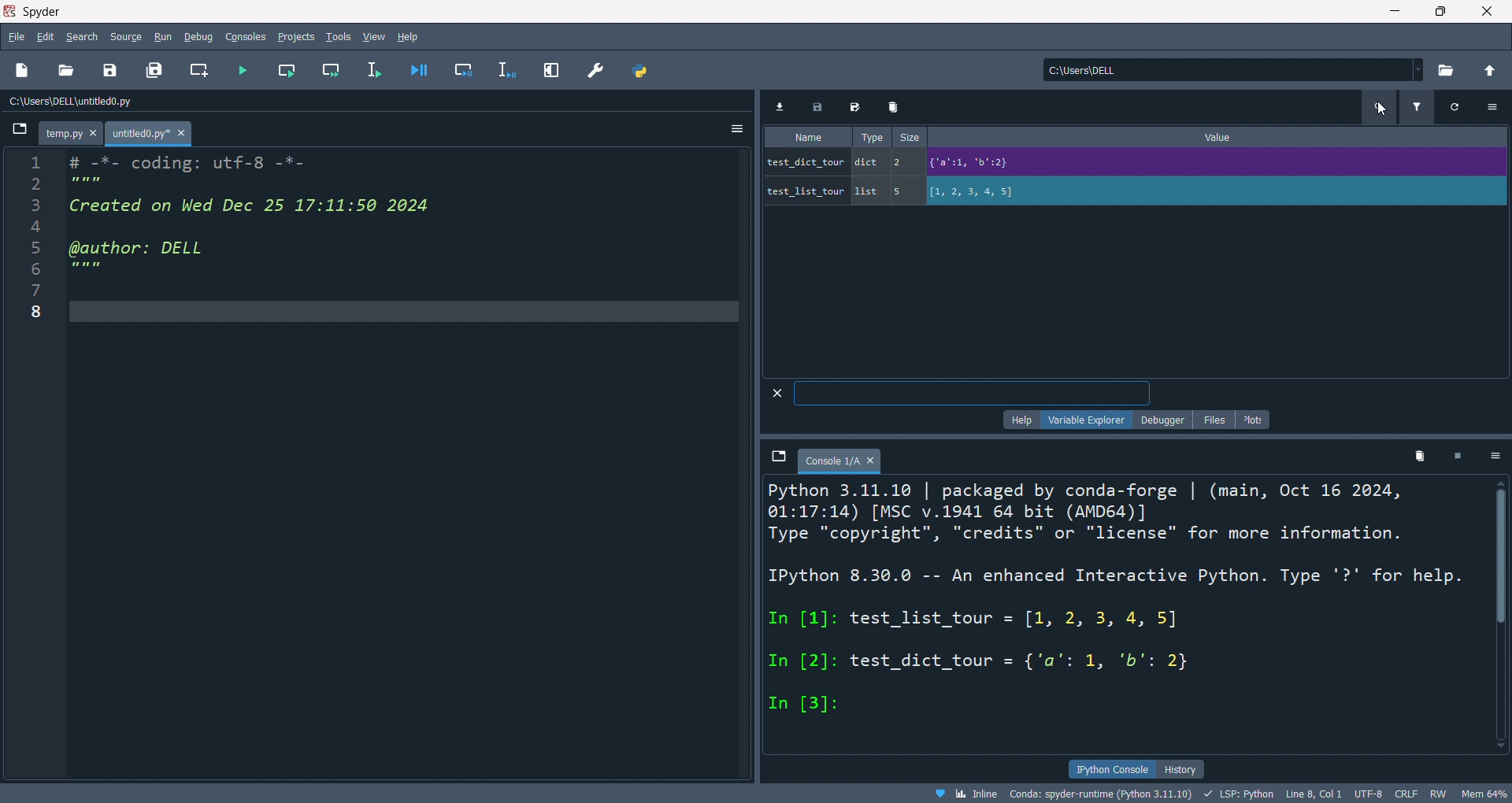 The height and width of the screenshot is (803, 1512). Describe the element at coordinates (1211, 418) in the screenshot. I see `files` at that location.